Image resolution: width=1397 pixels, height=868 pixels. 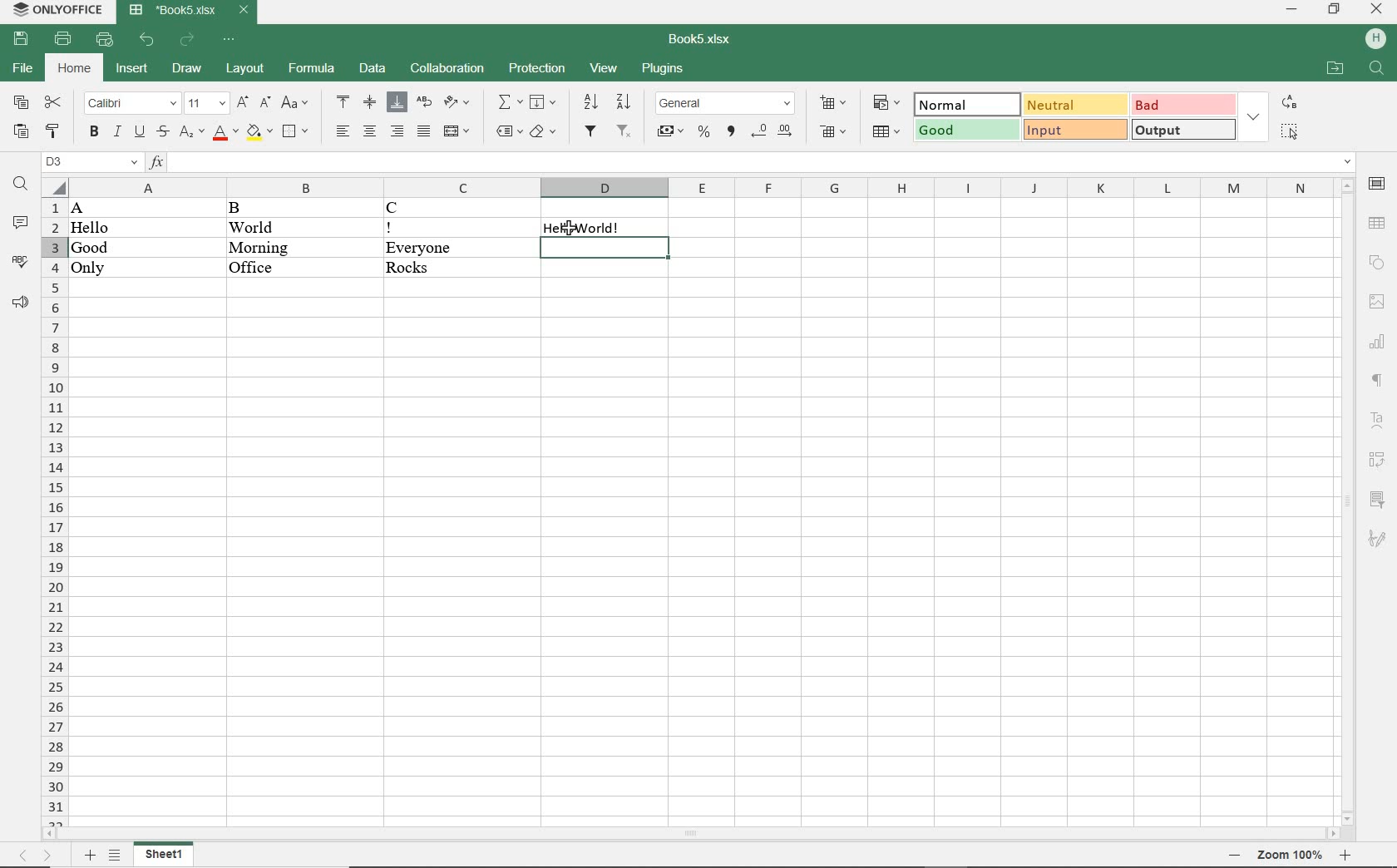 I want to click on DECREMENT FONT SIZE, so click(x=265, y=106).